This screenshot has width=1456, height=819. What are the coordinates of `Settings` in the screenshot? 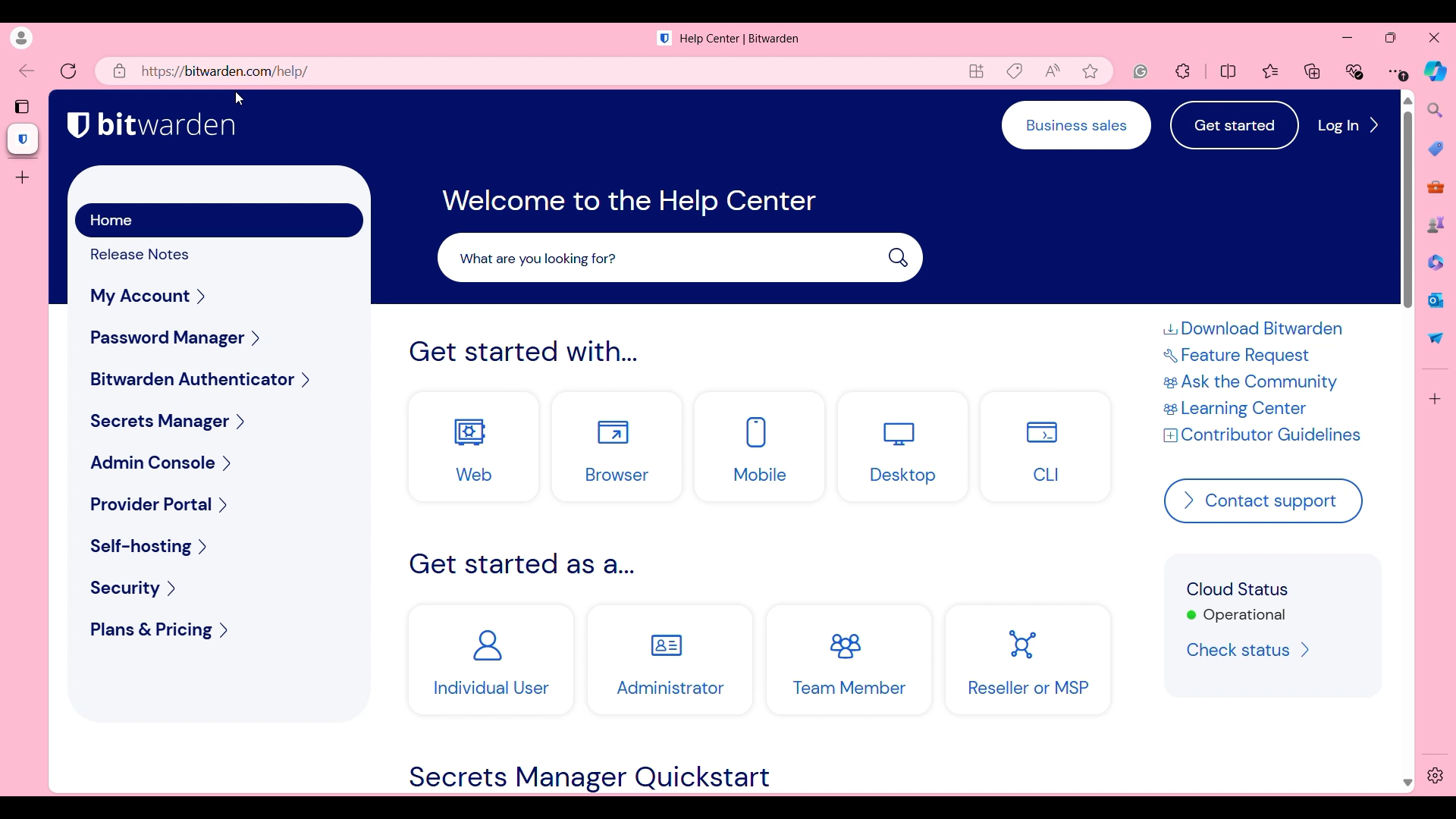 It's located at (1436, 776).